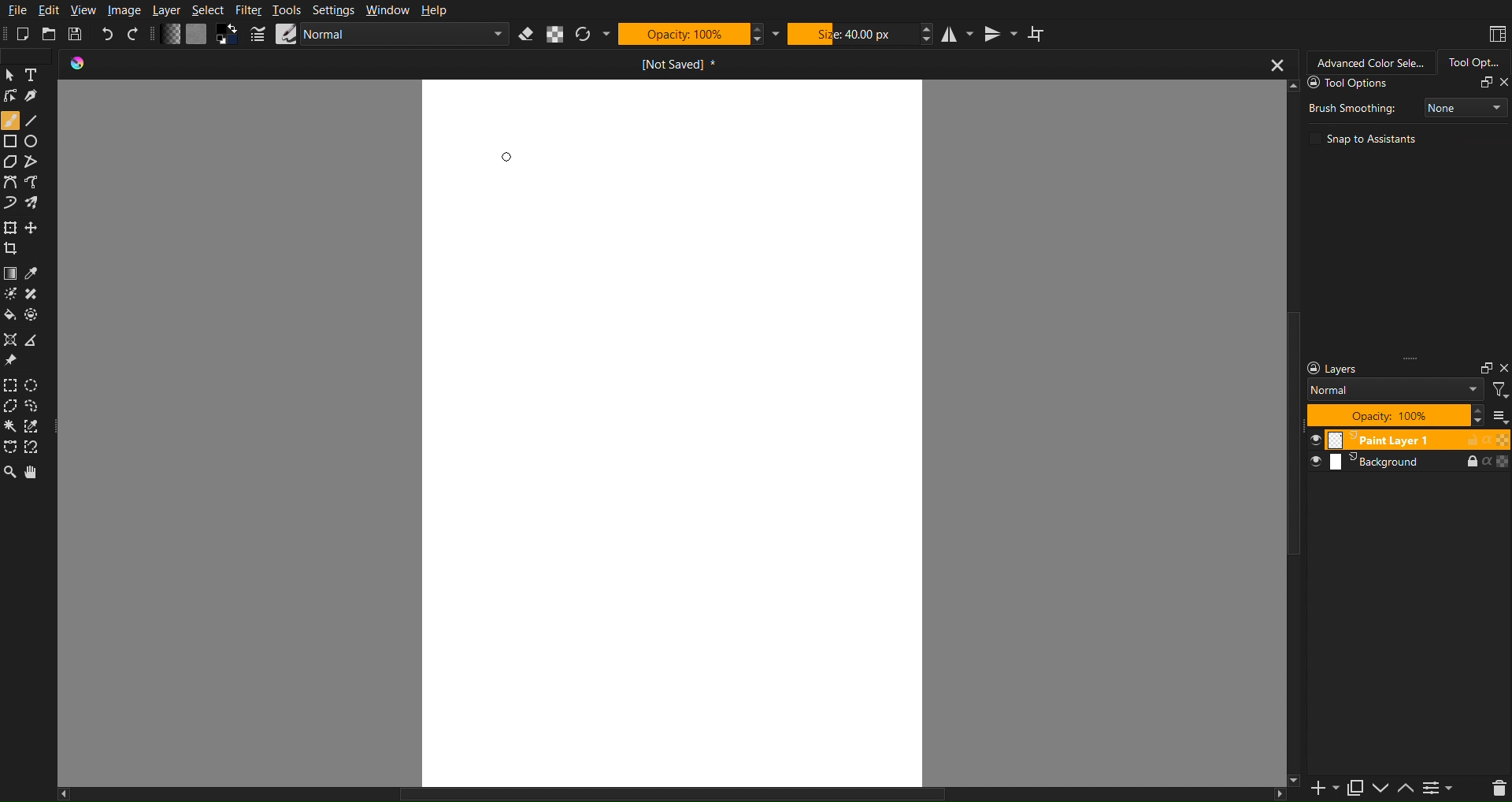 The width and height of the screenshot is (1512, 802). I want to click on Fullscreen, so click(1484, 83).